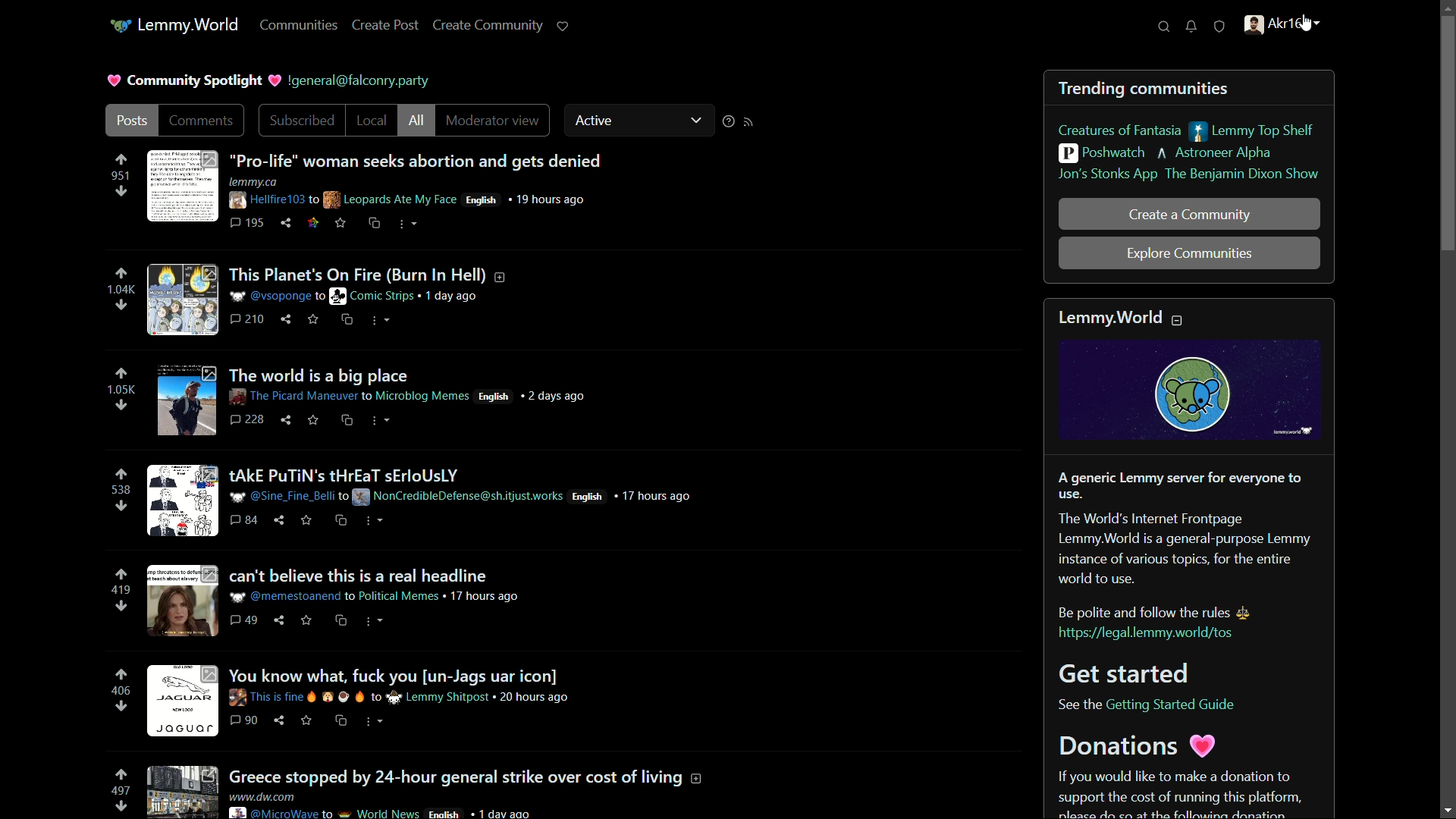 Image resolution: width=1456 pixels, height=819 pixels. What do you see at coordinates (1190, 254) in the screenshot?
I see `explore communities` at bounding box center [1190, 254].